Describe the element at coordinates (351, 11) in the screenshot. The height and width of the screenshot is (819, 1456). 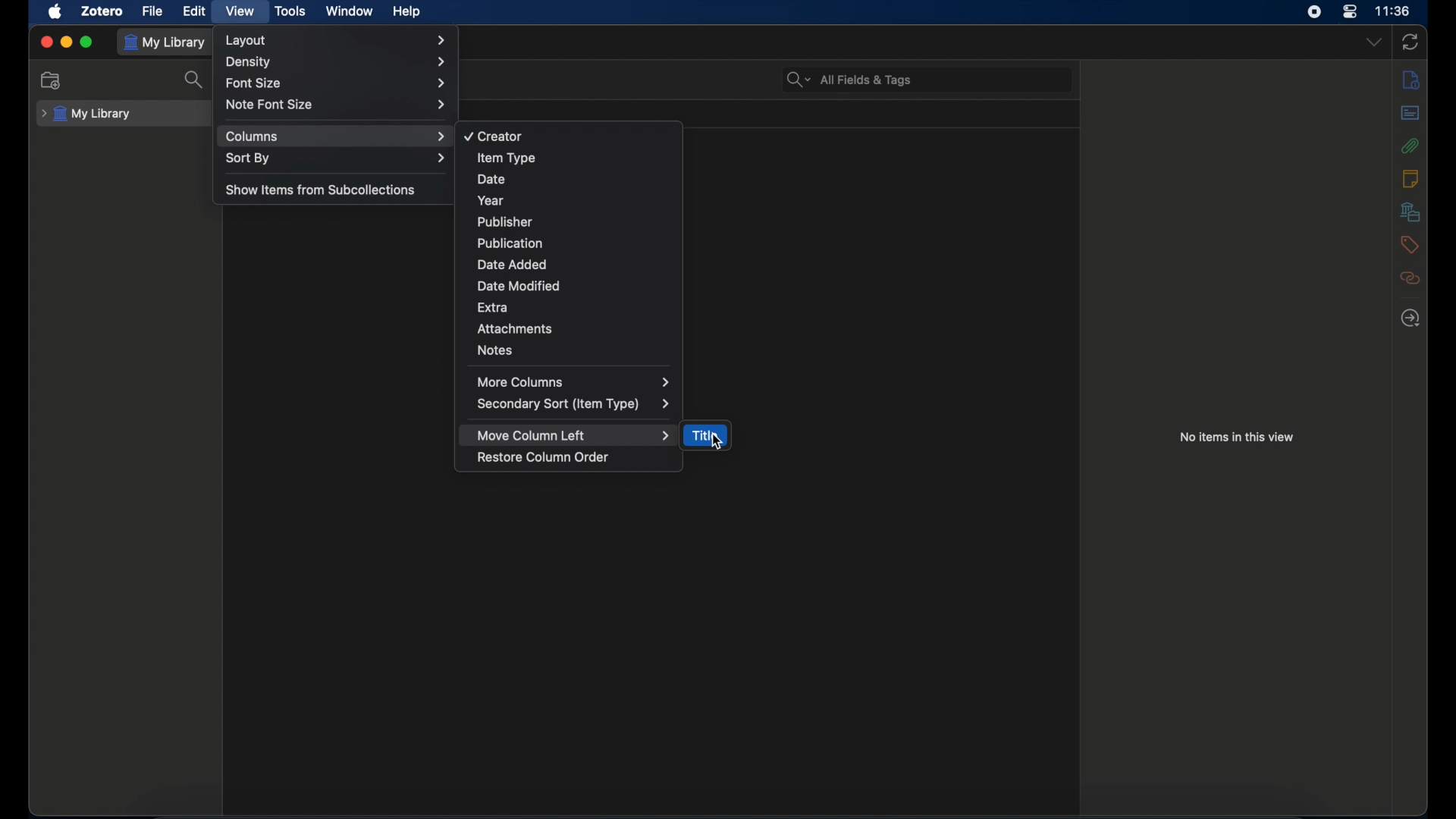
I see `window` at that location.